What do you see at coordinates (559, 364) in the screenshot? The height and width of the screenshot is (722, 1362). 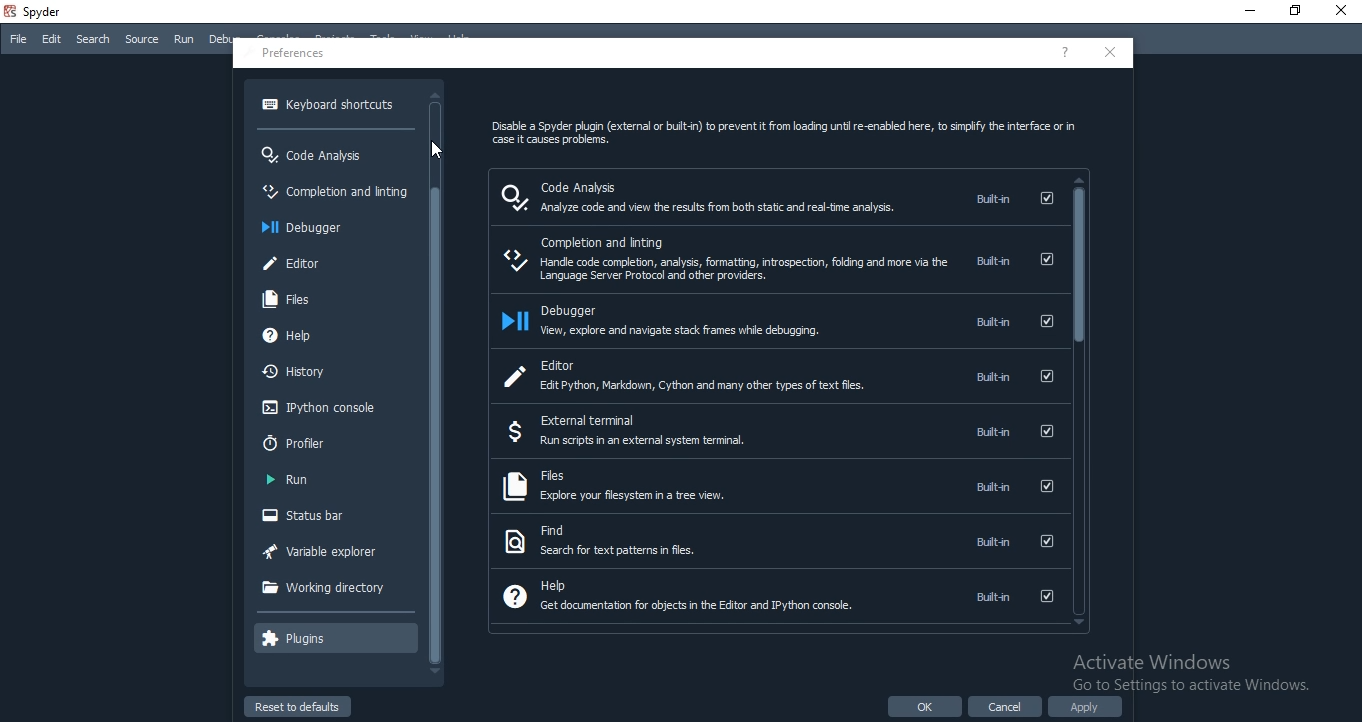 I see `Editor` at bounding box center [559, 364].